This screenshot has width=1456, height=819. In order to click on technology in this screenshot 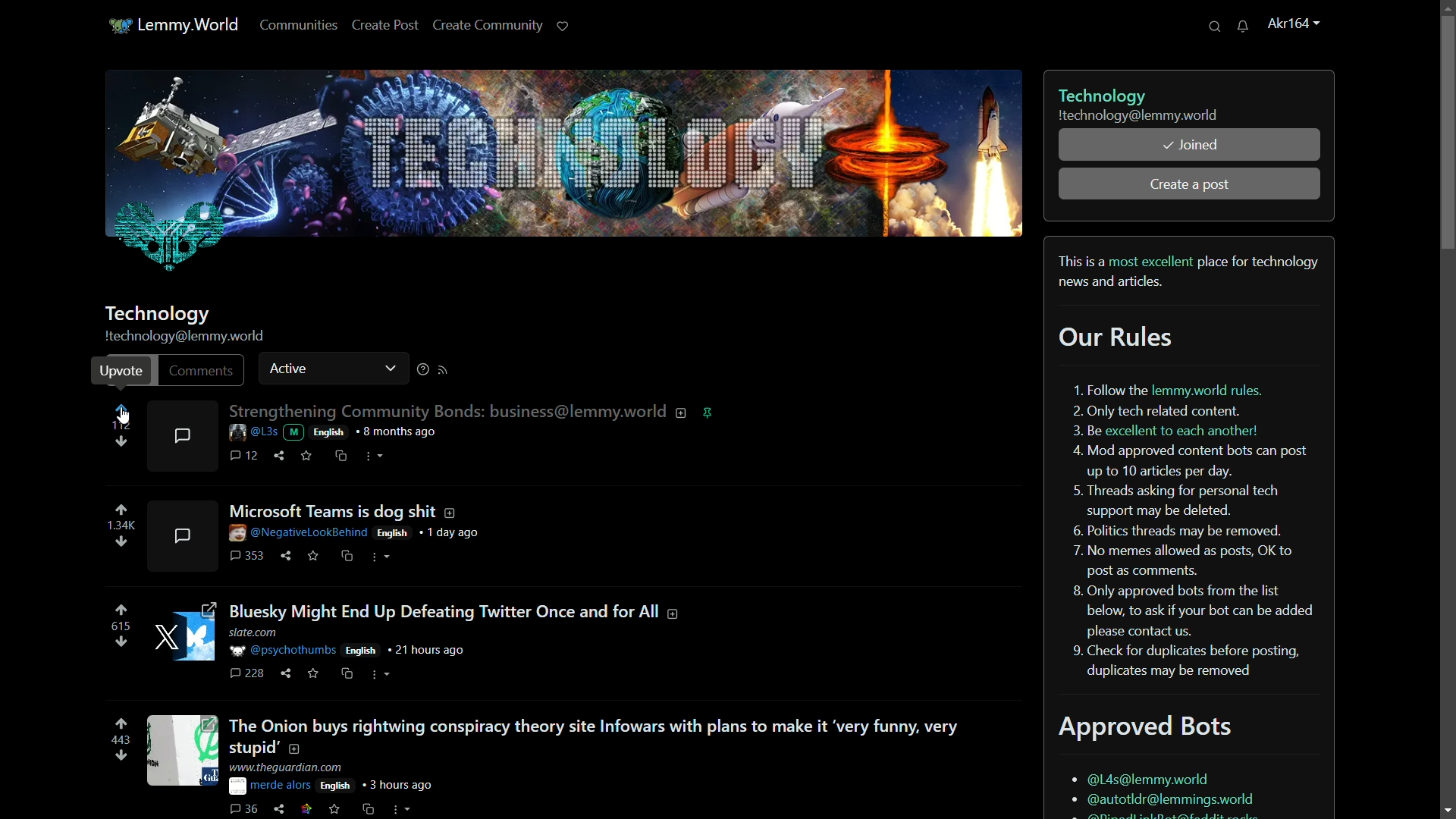, I will do `click(1103, 97)`.